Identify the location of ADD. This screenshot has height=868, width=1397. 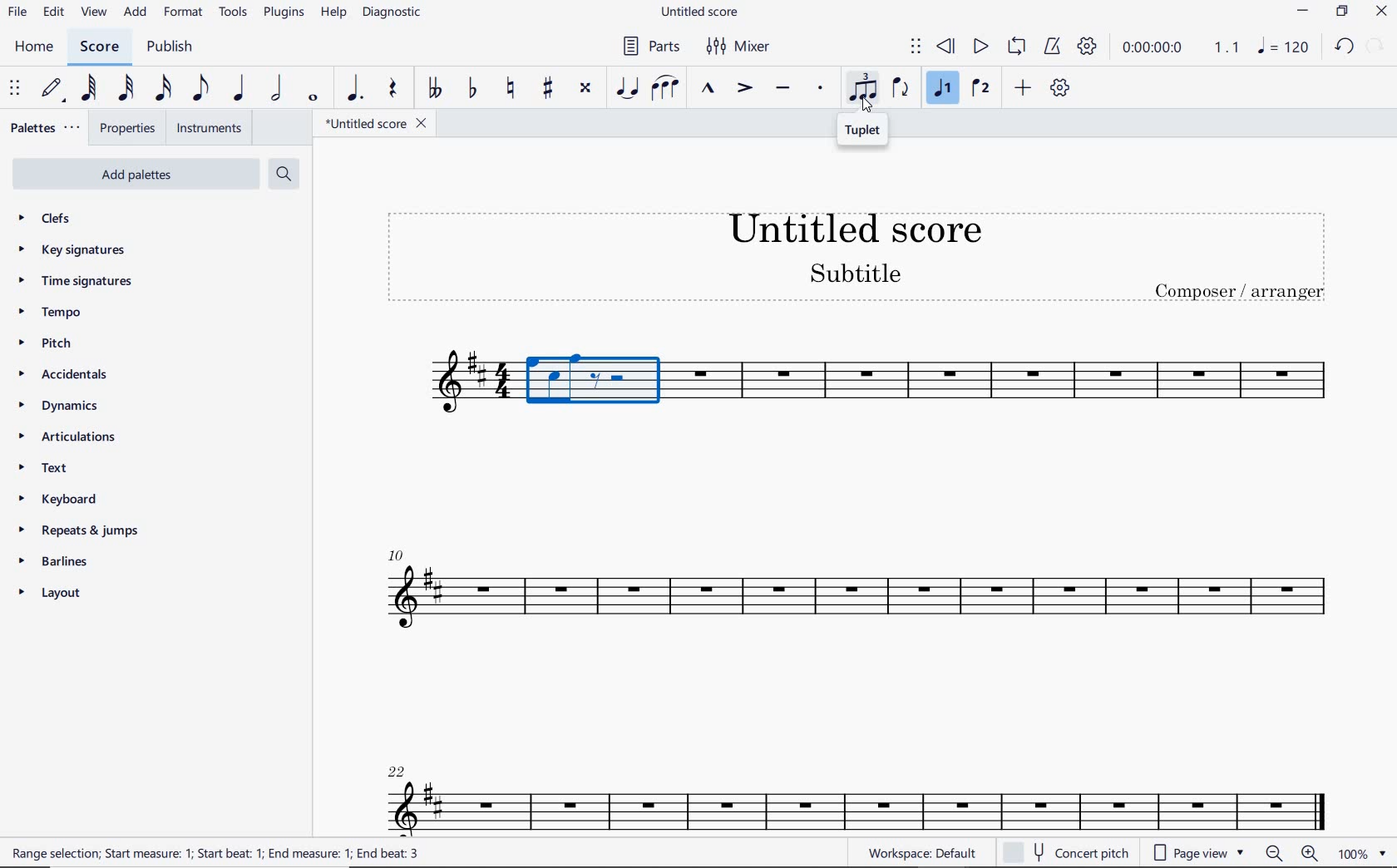
(135, 12).